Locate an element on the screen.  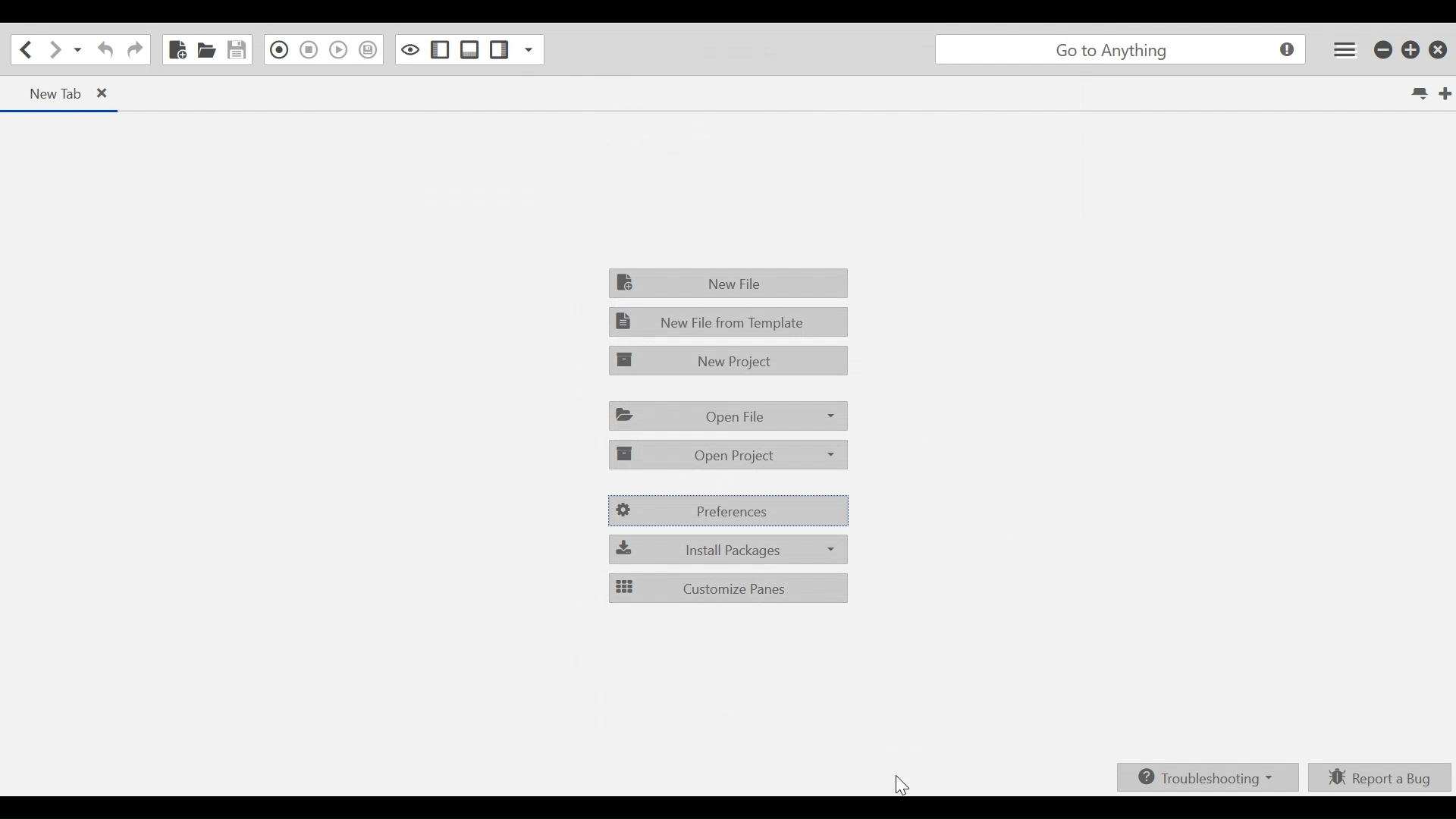
Toggle focus mode is located at coordinates (409, 49).